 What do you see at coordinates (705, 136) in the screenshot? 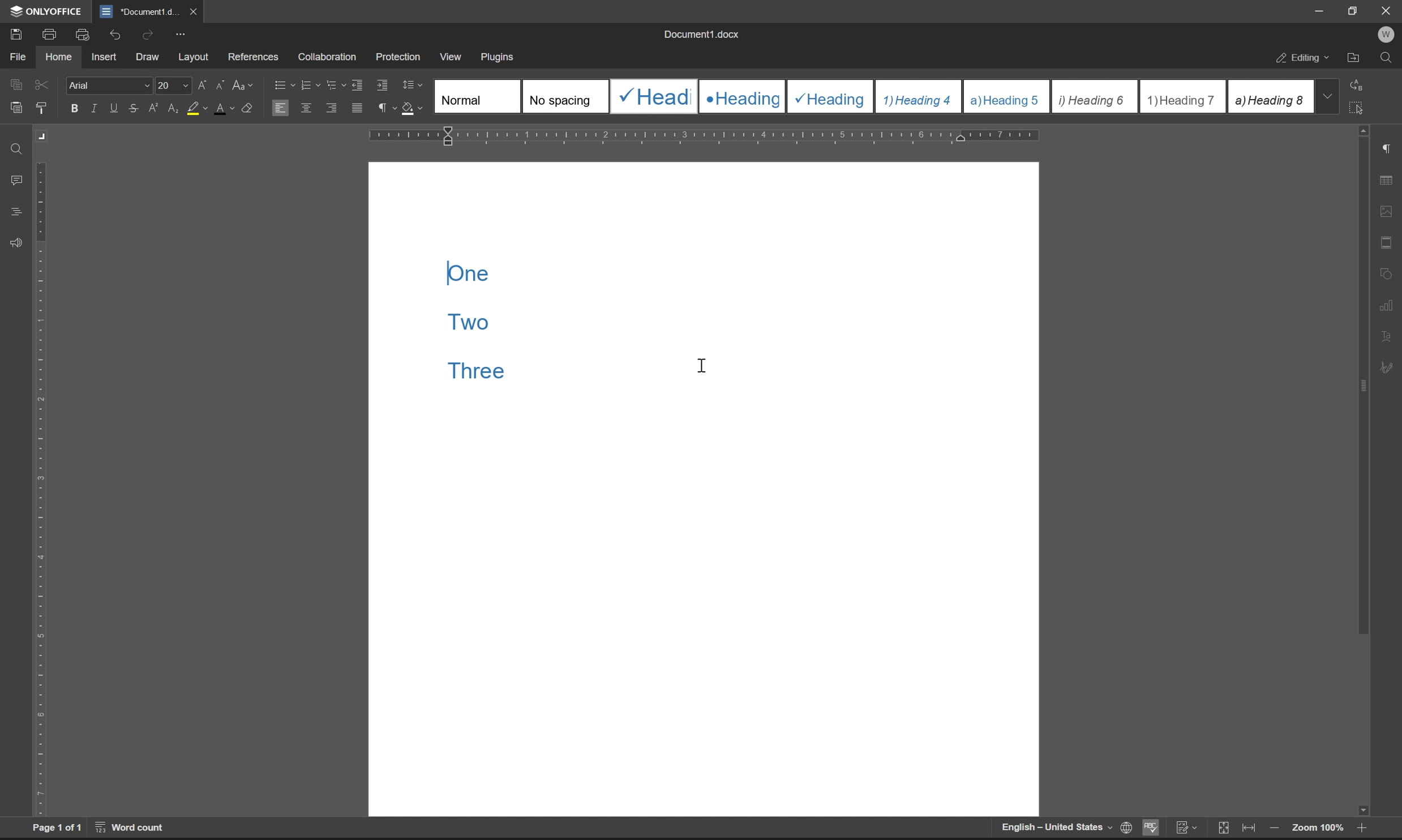
I see `ruler` at bounding box center [705, 136].